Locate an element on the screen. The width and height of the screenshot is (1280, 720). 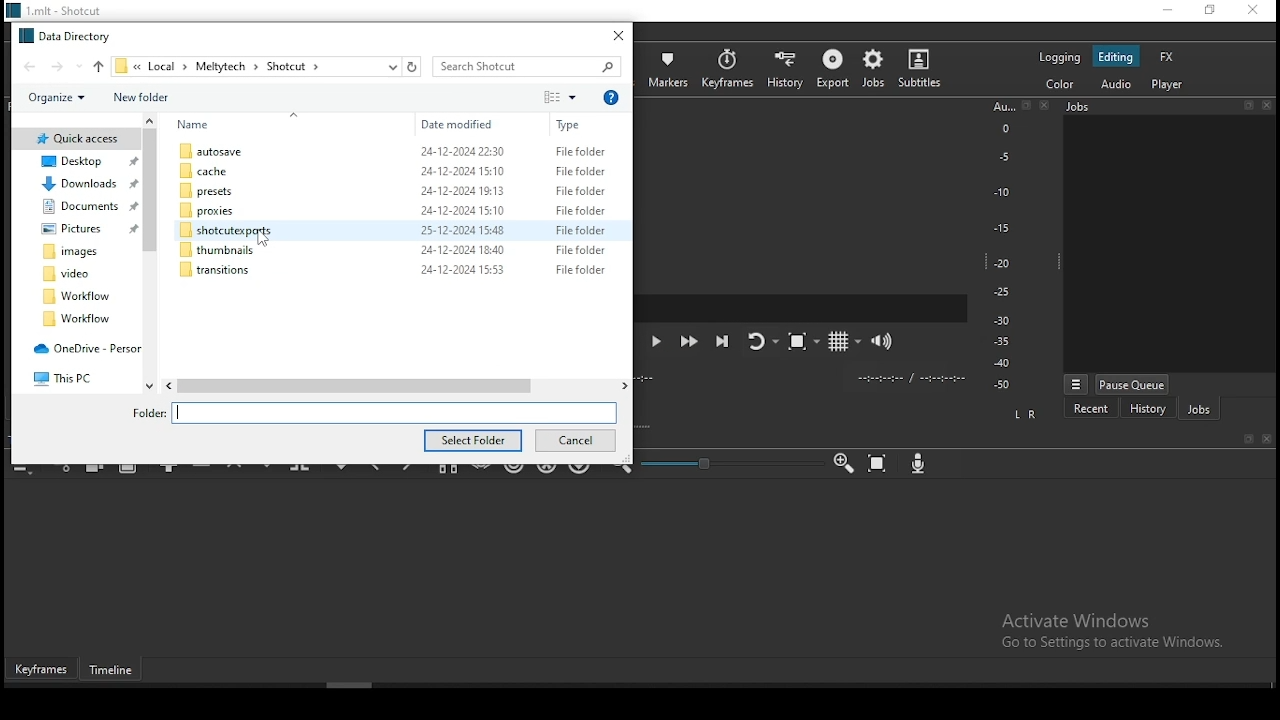
local folder is located at coordinates (78, 138).